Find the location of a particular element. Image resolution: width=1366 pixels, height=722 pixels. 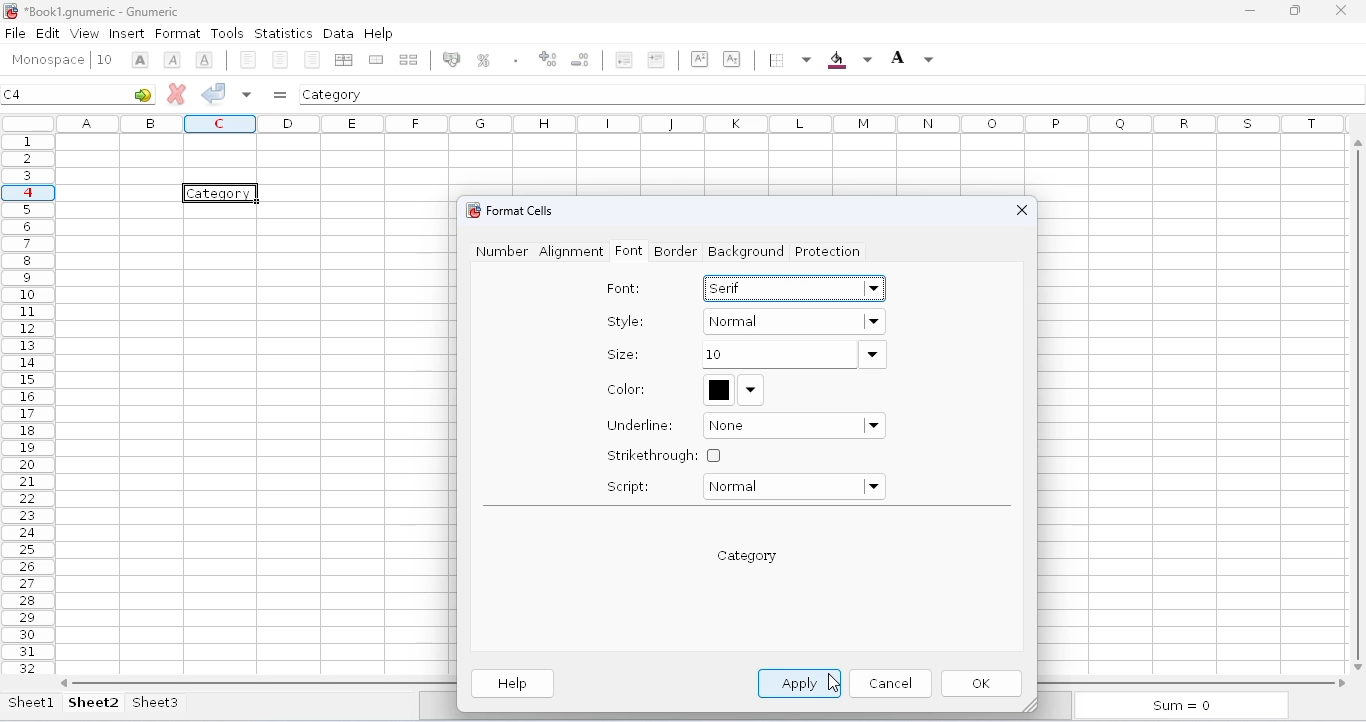

align right is located at coordinates (312, 59).